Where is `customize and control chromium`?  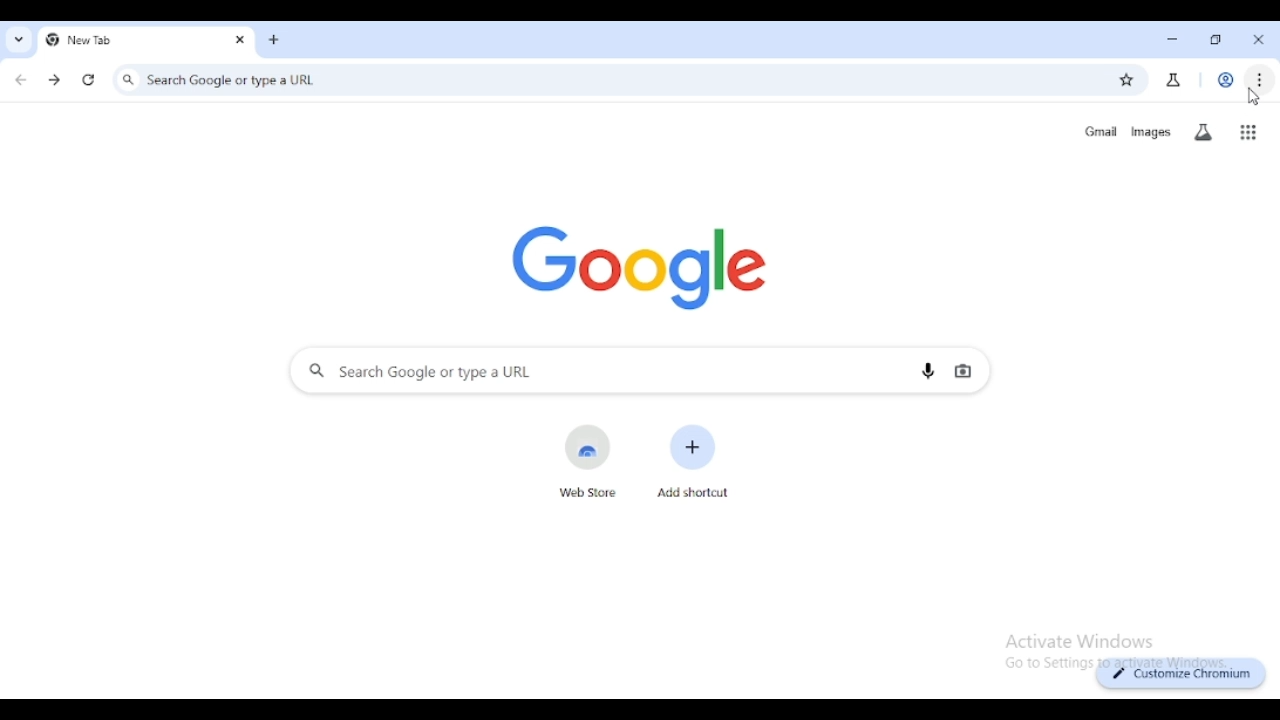 customize and control chromium is located at coordinates (1261, 79).